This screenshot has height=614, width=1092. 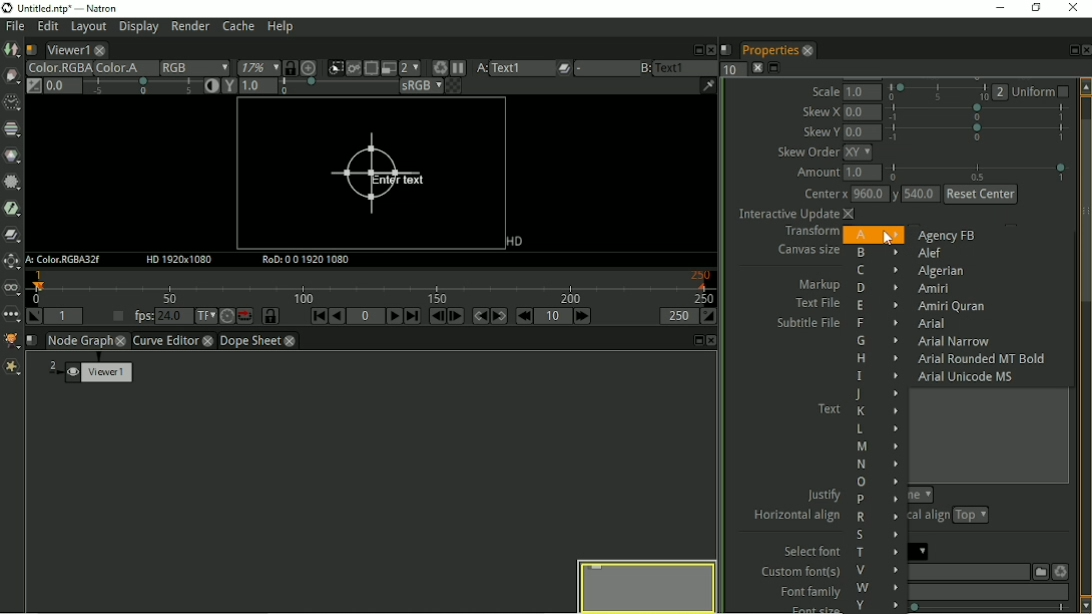 I want to click on Curve Editor, so click(x=165, y=342).